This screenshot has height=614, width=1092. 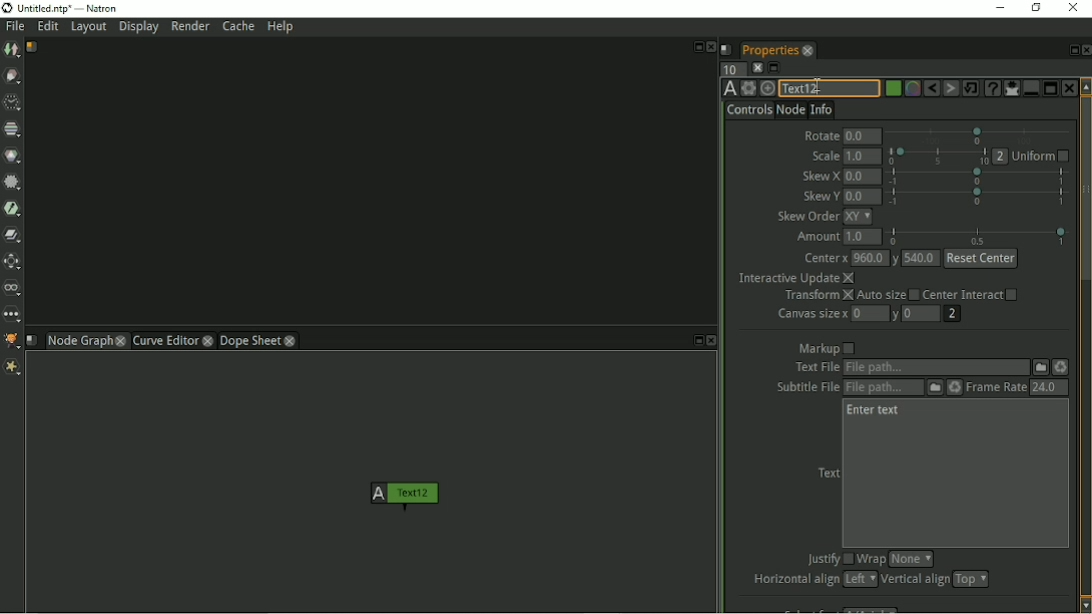 I want to click on Draw, so click(x=13, y=77).